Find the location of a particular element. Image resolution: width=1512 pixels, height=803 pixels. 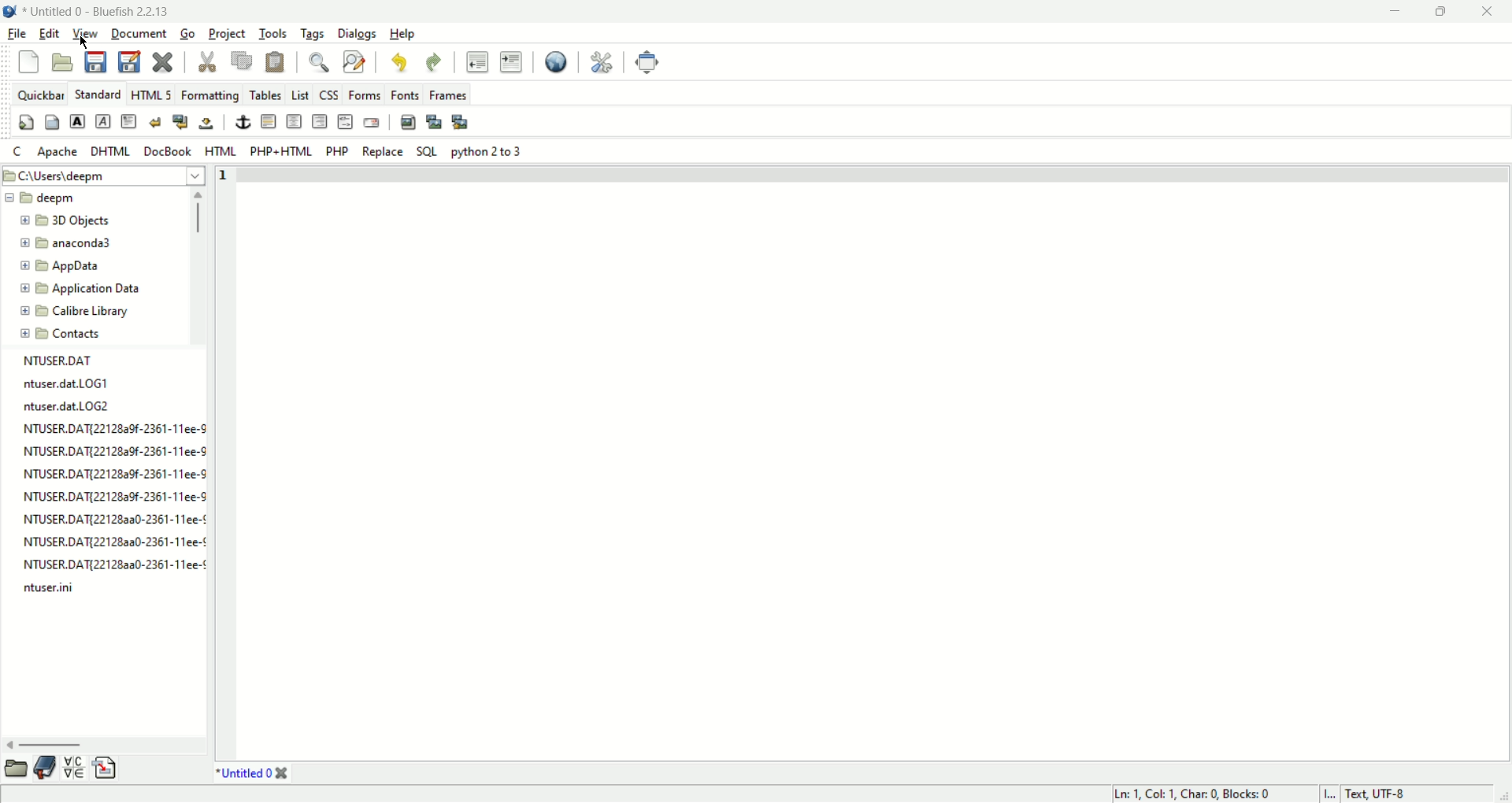

DocBook is located at coordinates (167, 151).